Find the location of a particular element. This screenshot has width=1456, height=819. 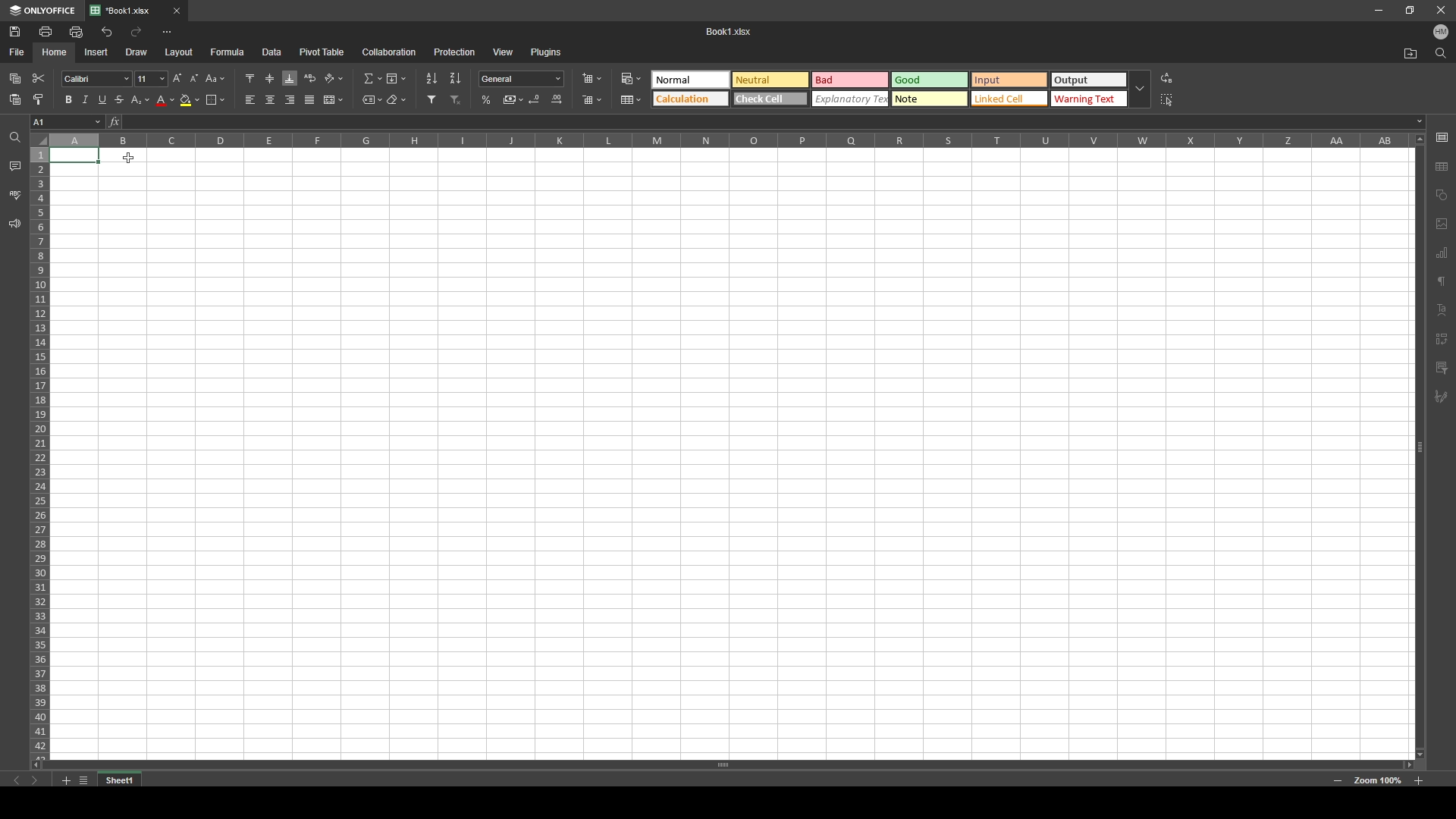

cut is located at coordinates (39, 78).